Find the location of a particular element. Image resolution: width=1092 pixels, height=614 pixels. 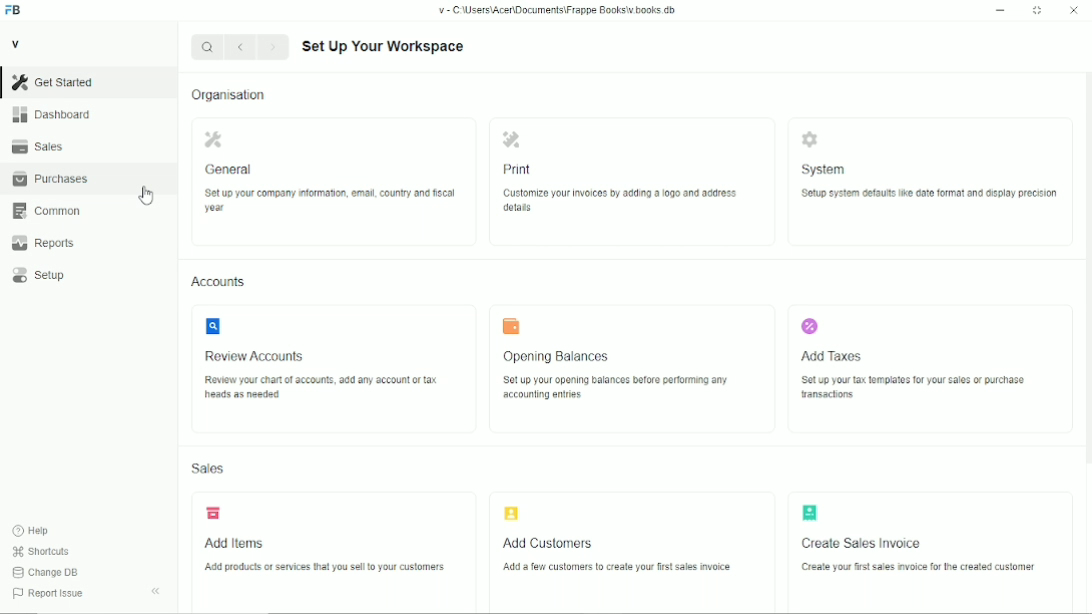

Create Sales Invoice is located at coordinates (864, 544).